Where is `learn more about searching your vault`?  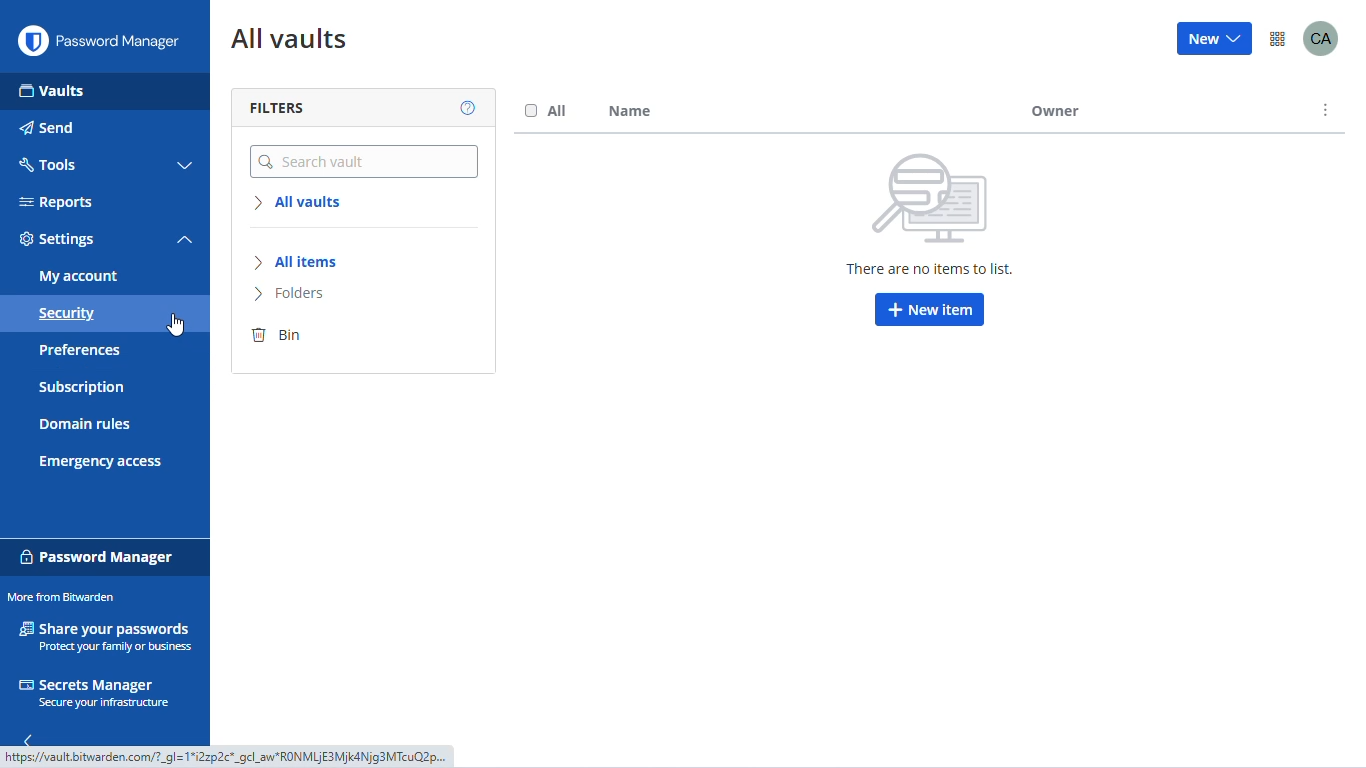 learn more about searching your vault is located at coordinates (469, 109).